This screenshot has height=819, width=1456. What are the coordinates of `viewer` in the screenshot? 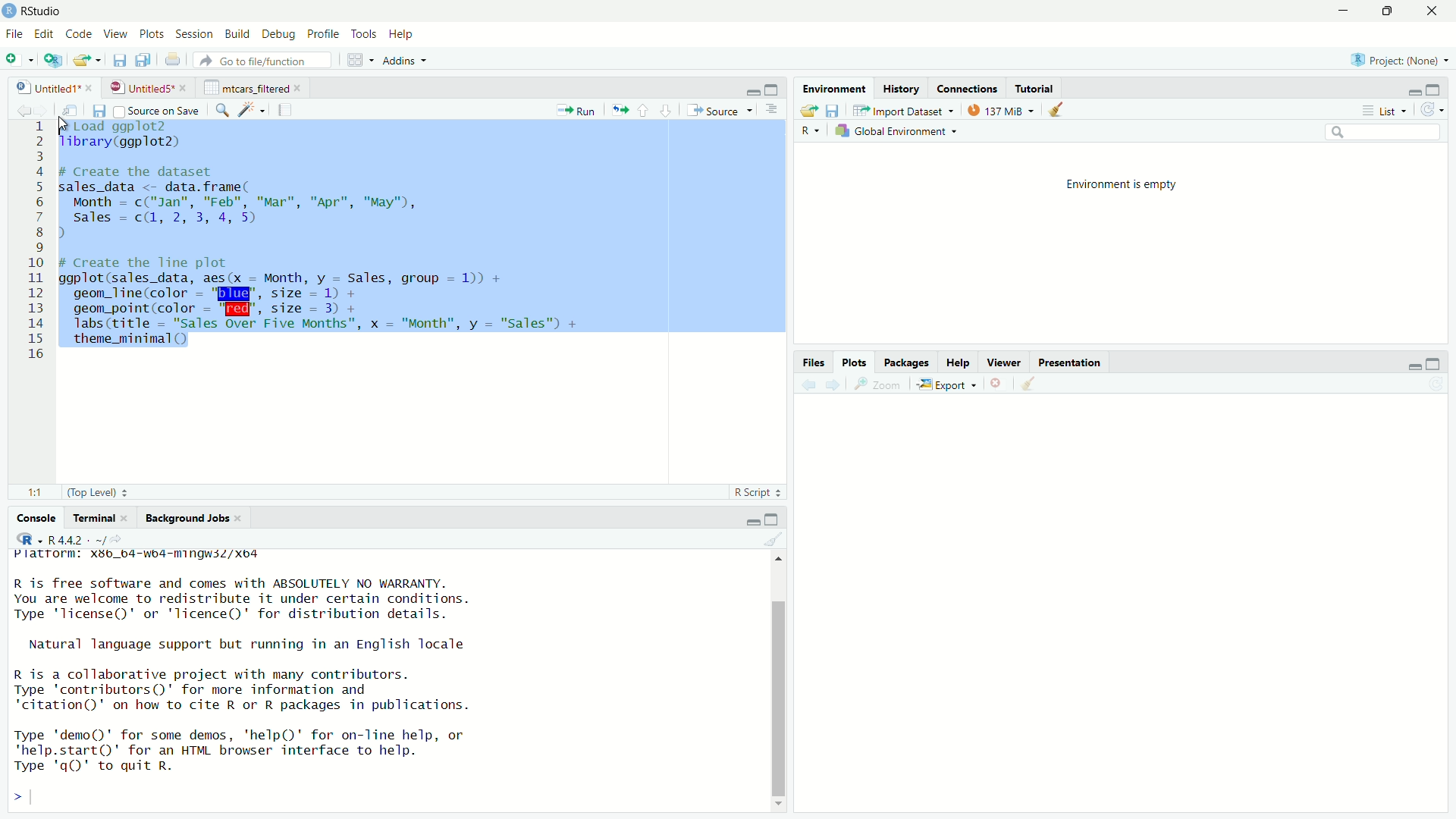 It's located at (1004, 362).